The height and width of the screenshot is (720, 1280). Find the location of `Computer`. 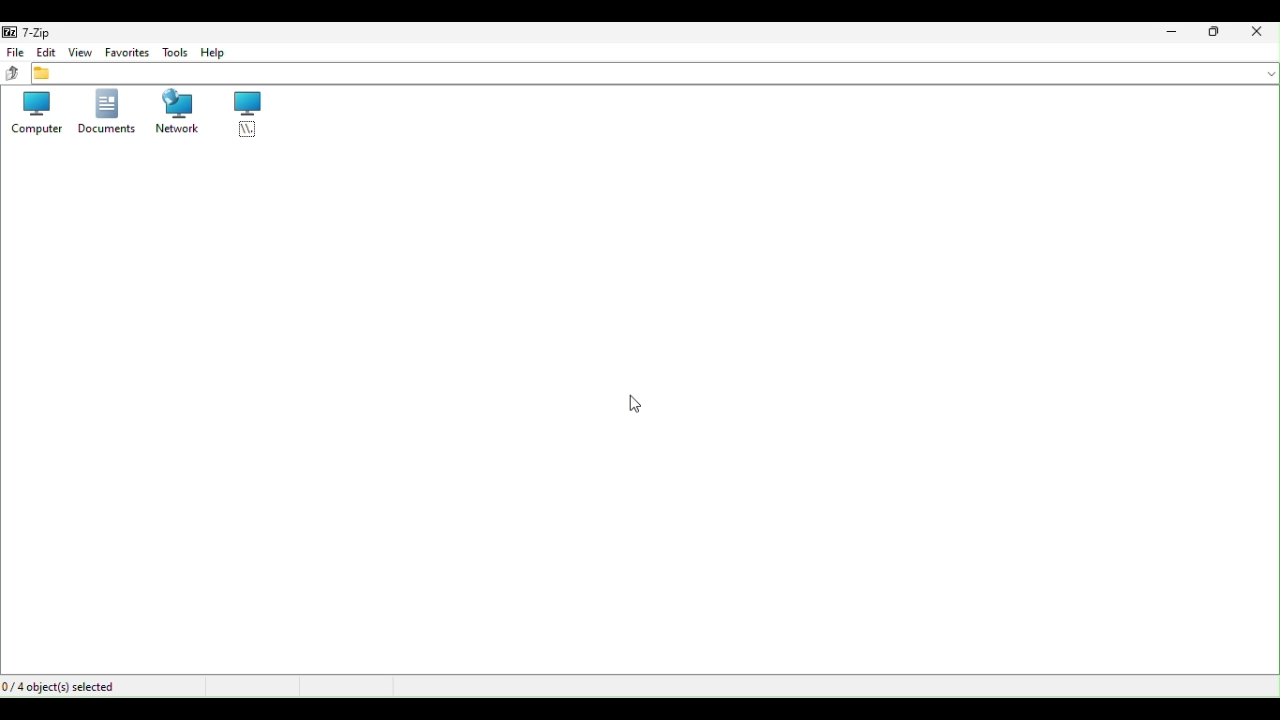

Computer is located at coordinates (33, 114).